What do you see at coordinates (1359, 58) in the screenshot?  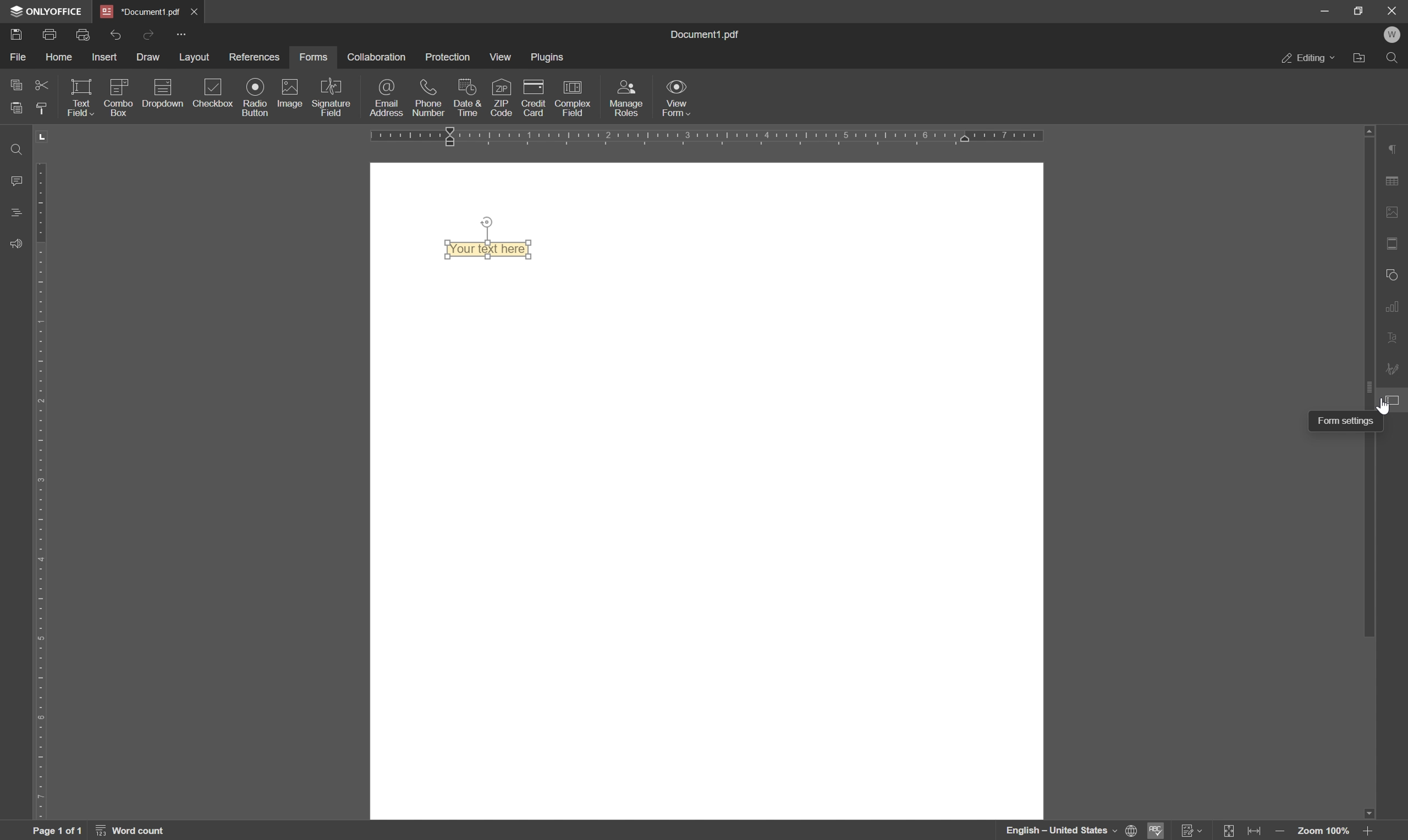 I see `open file location` at bounding box center [1359, 58].